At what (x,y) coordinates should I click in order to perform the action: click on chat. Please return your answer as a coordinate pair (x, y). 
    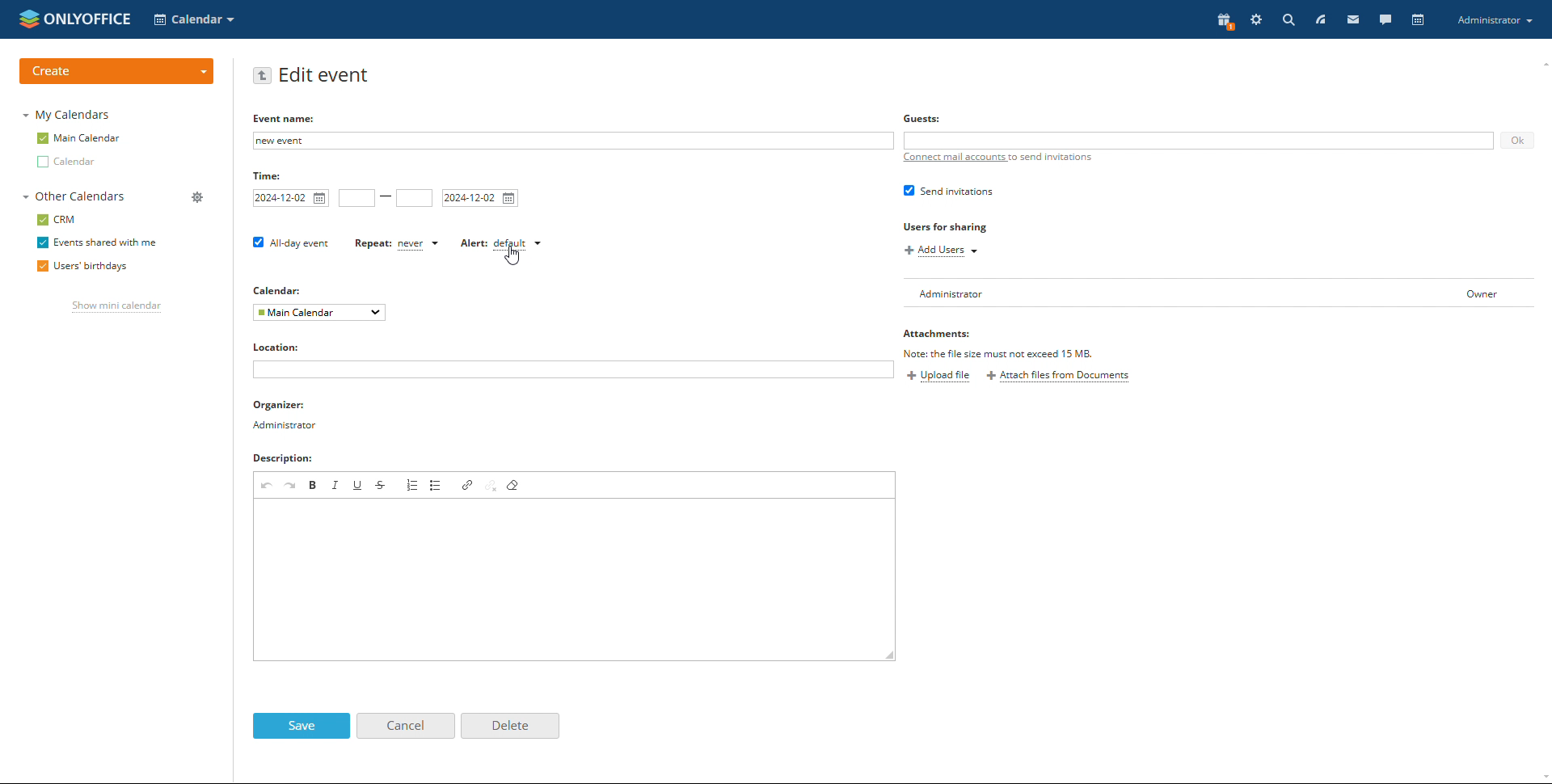
    Looking at the image, I should click on (1385, 19).